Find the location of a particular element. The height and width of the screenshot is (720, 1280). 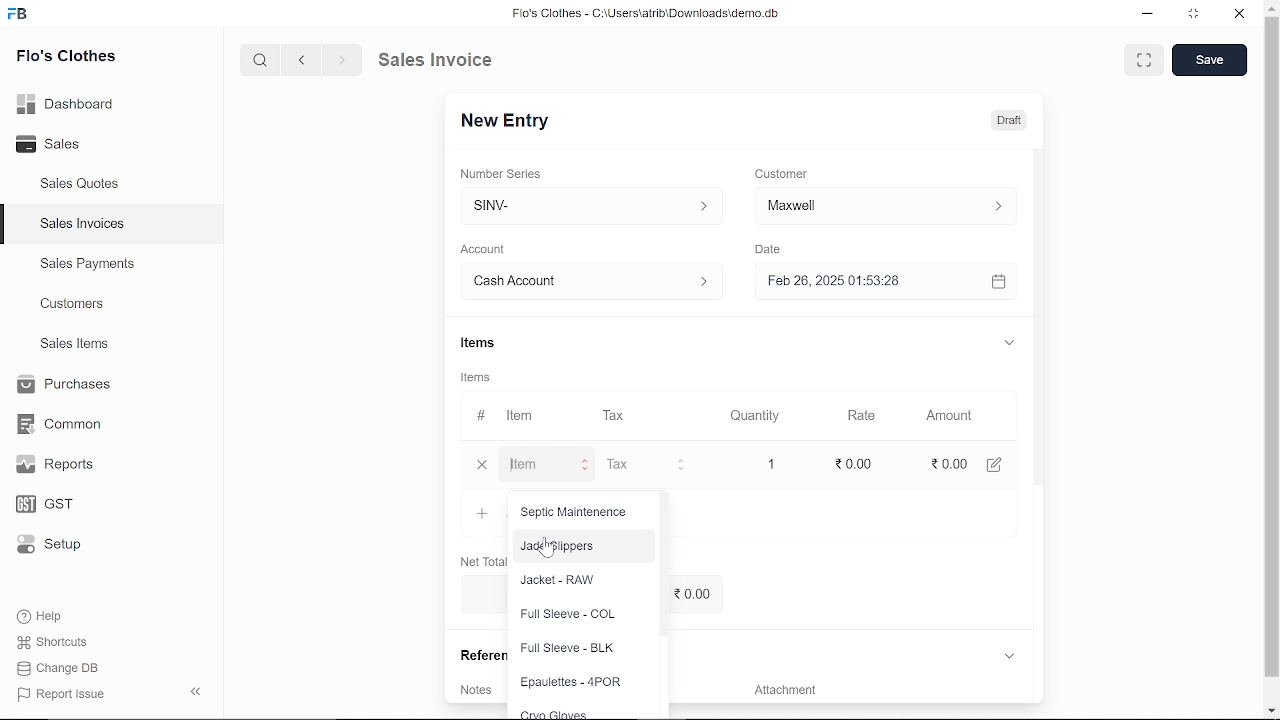

Purchases is located at coordinates (62, 385).